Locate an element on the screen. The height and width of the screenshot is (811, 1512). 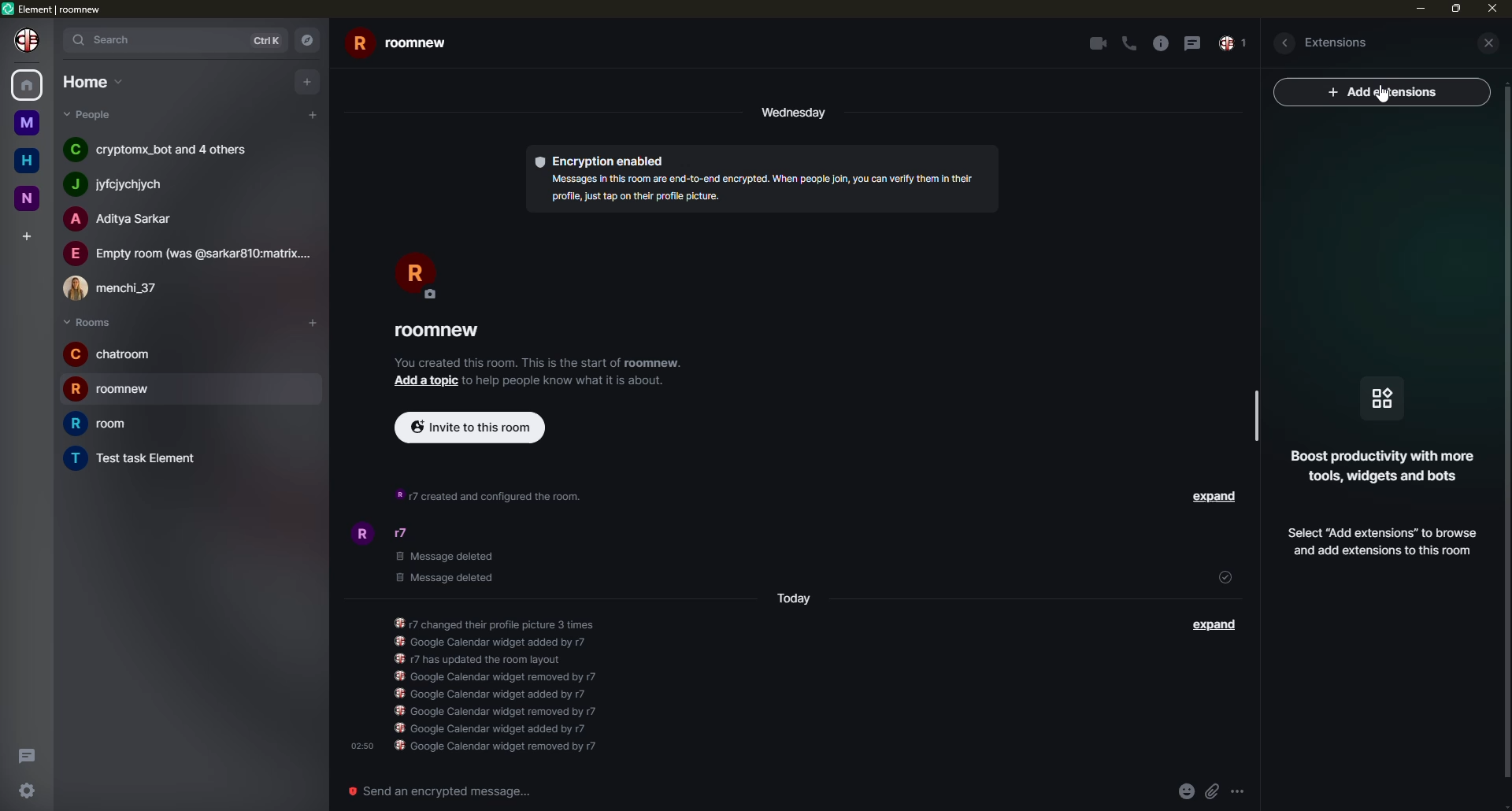
emoji is located at coordinates (1185, 791).